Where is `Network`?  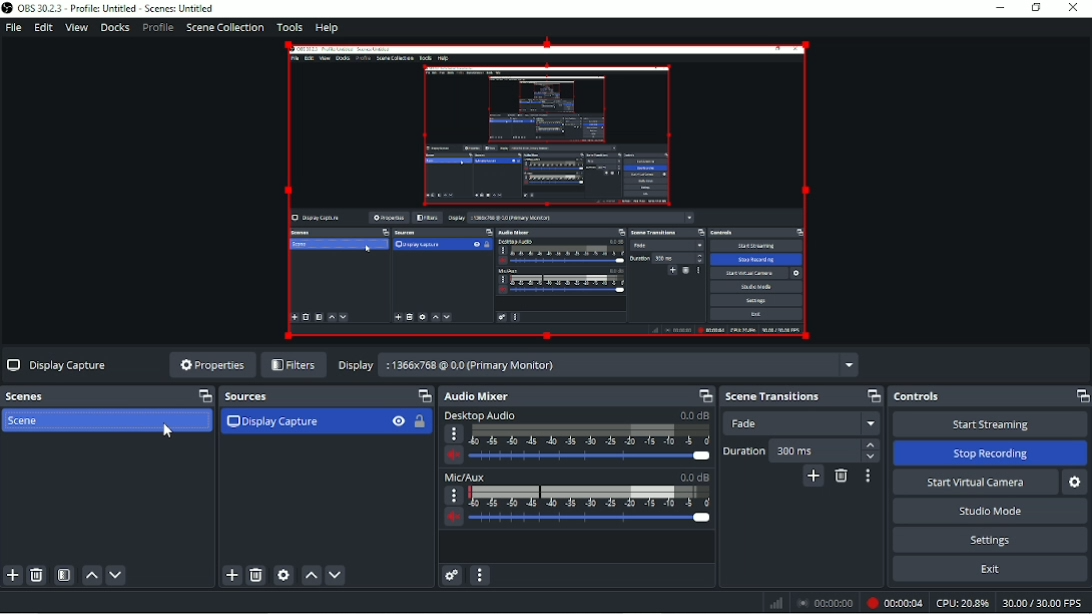 Network is located at coordinates (776, 604).